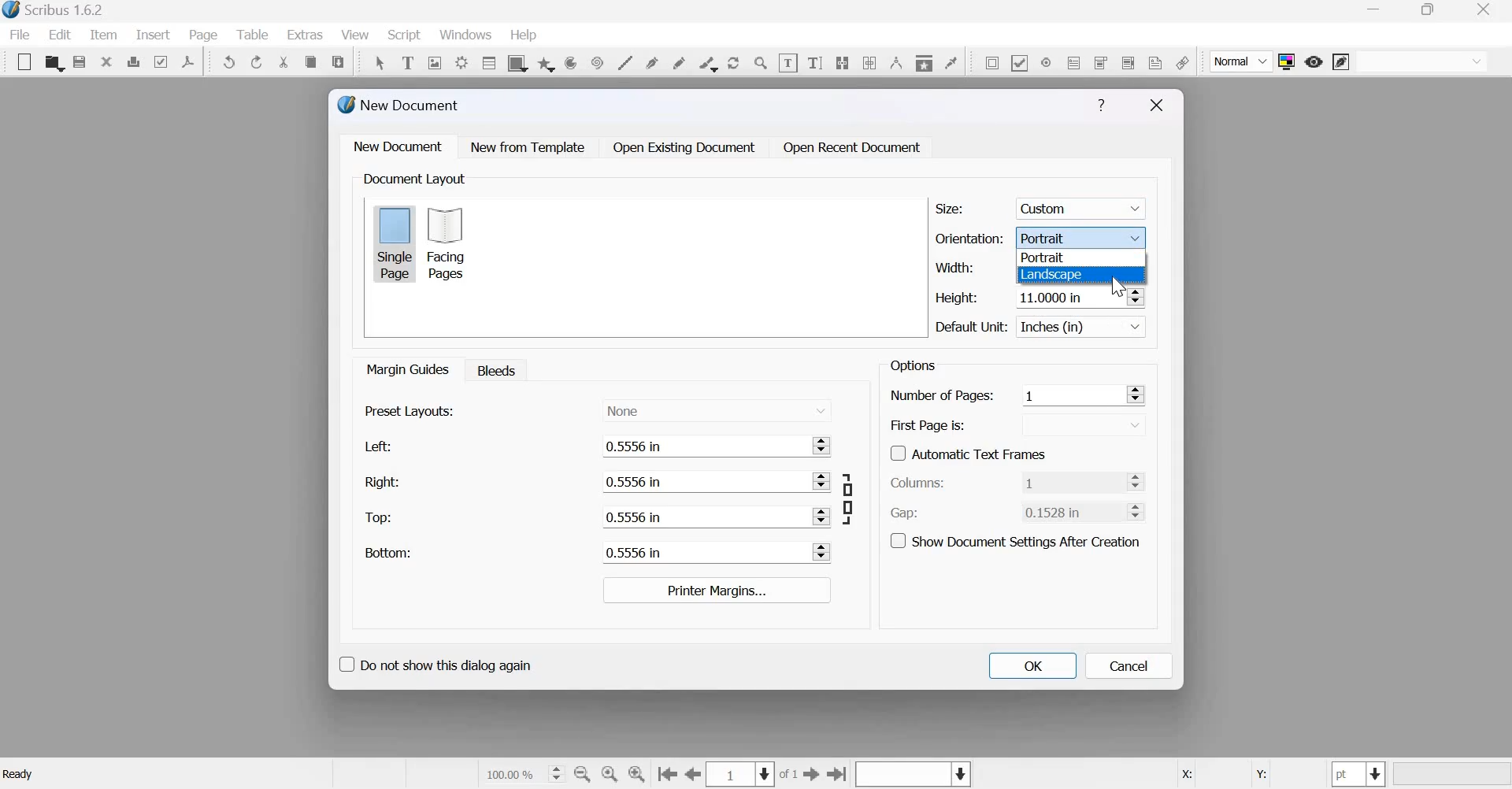 The width and height of the screenshot is (1512, 789). I want to click on shape, so click(516, 62).